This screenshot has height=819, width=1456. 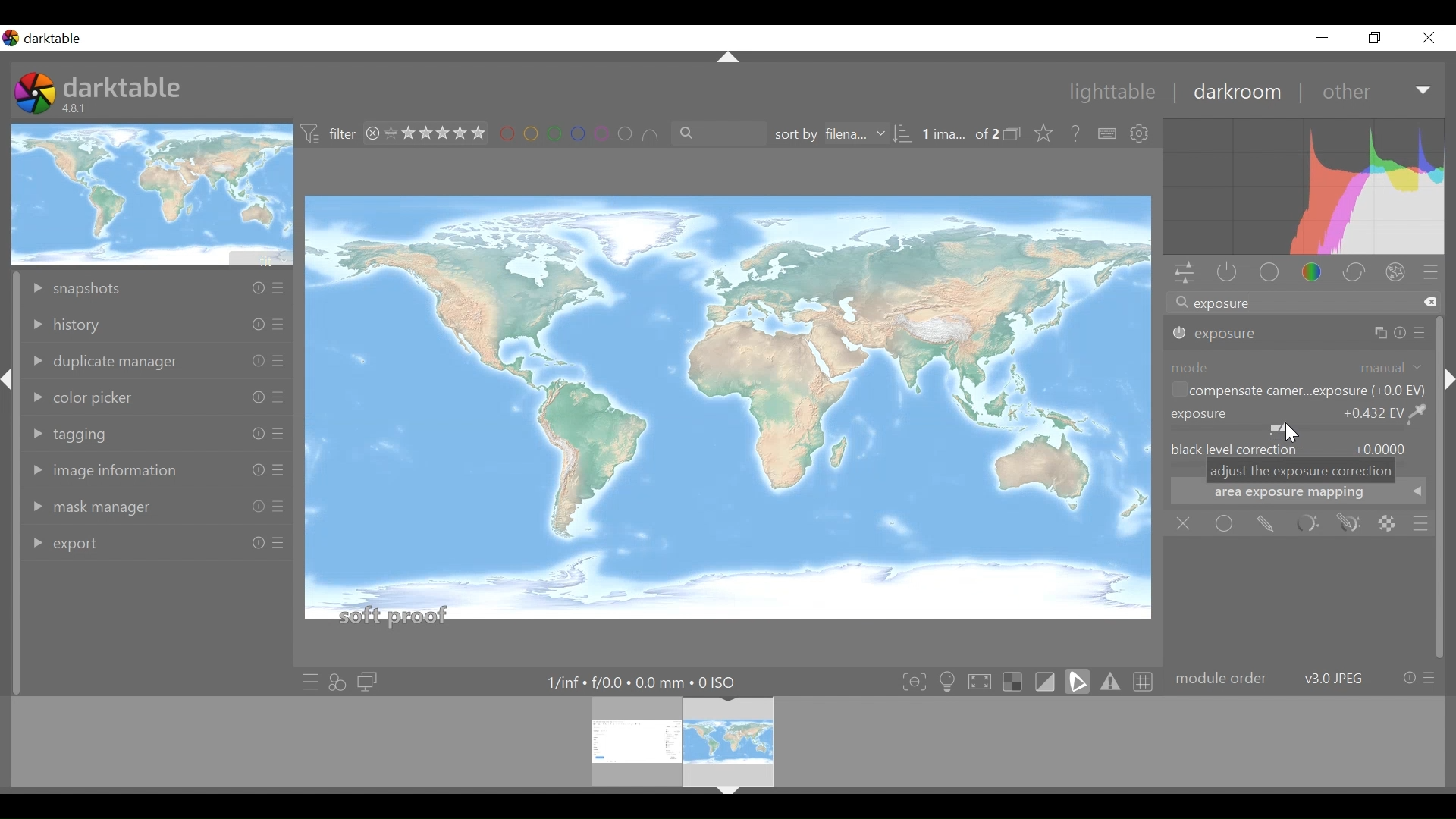 I want to click on , so click(x=279, y=362).